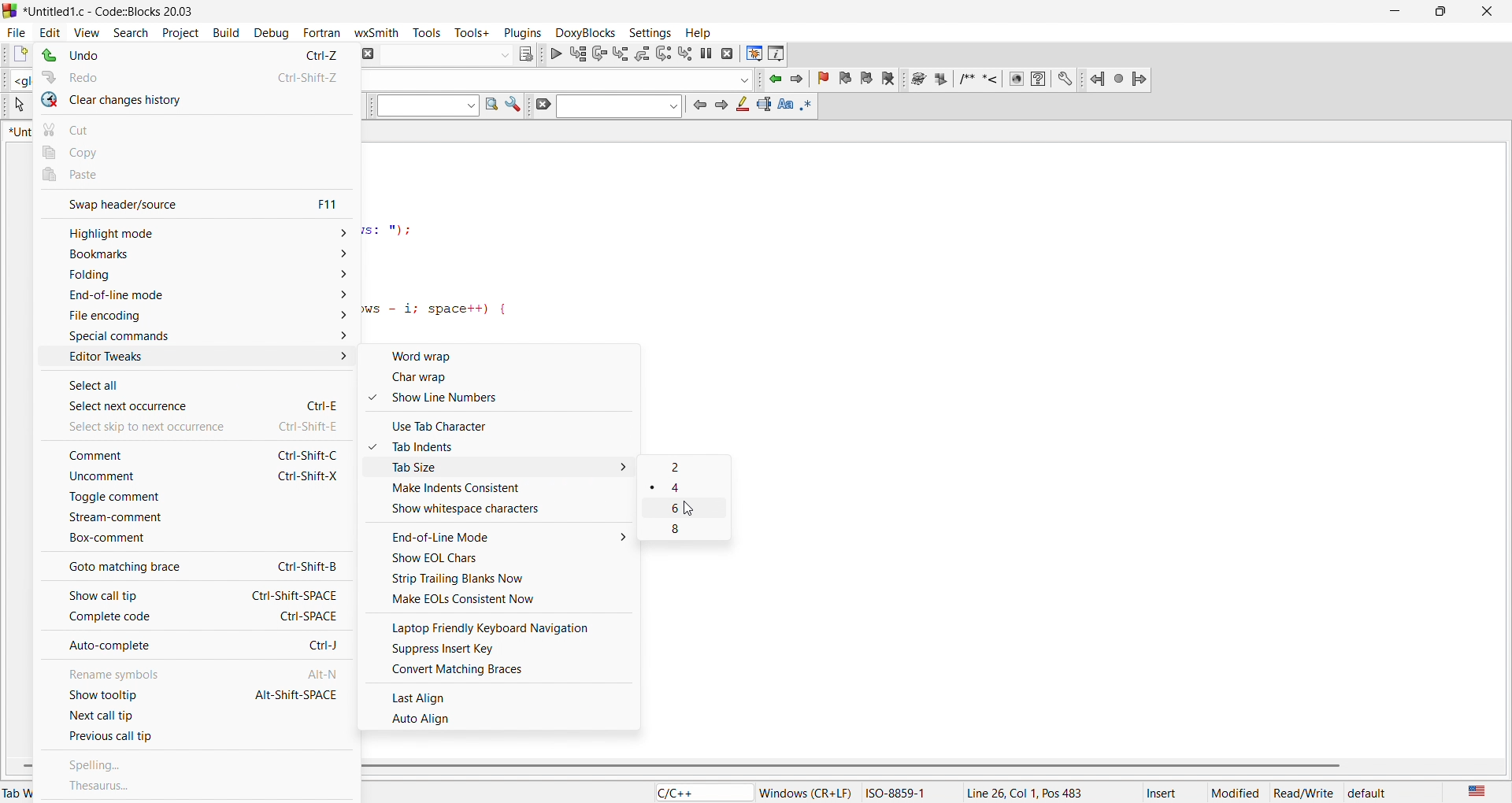  I want to click on search, so click(135, 30).